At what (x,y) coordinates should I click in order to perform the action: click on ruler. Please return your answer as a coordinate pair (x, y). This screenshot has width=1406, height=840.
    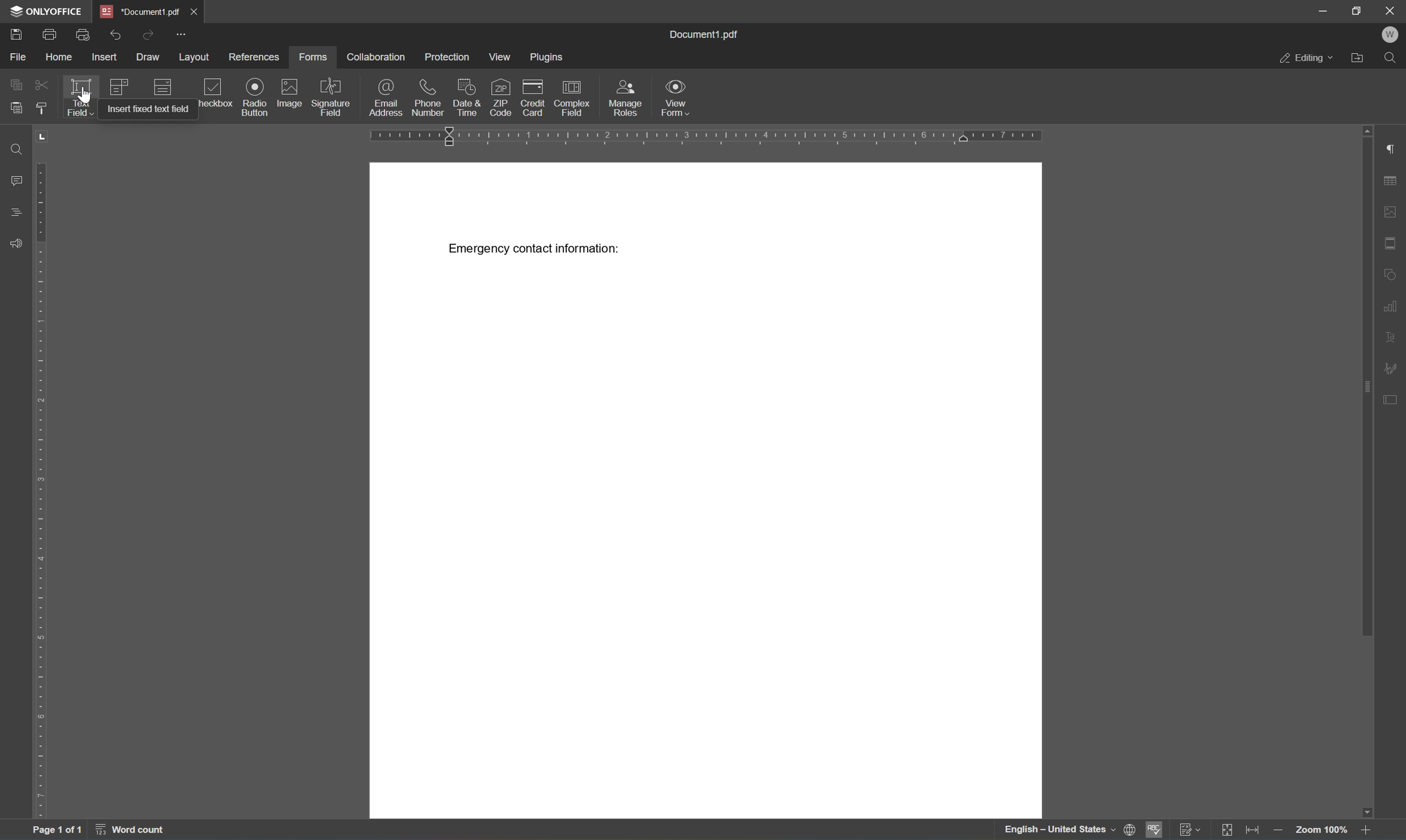
    Looking at the image, I should click on (46, 488).